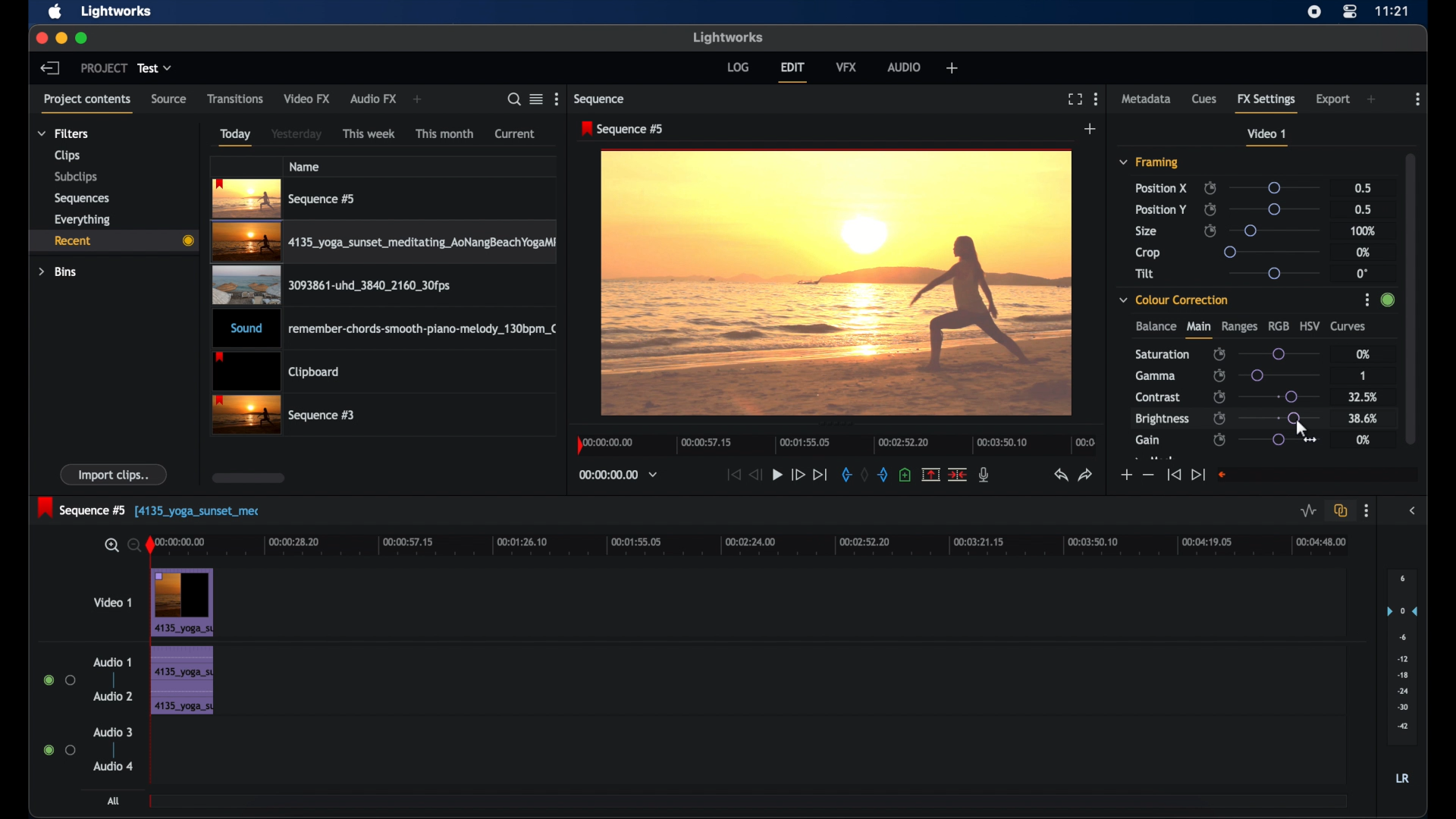  What do you see at coordinates (601, 99) in the screenshot?
I see `sequence` at bounding box center [601, 99].